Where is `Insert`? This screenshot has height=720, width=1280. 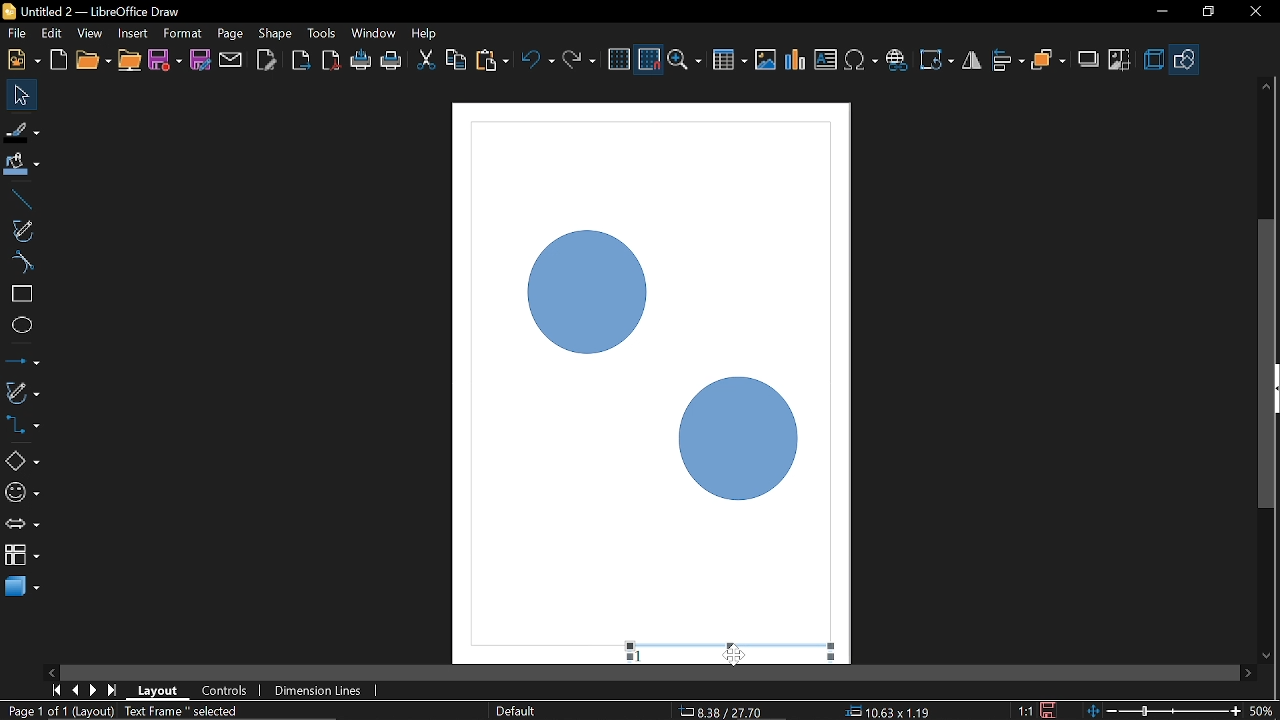 Insert is located at coordinates (134, 33).